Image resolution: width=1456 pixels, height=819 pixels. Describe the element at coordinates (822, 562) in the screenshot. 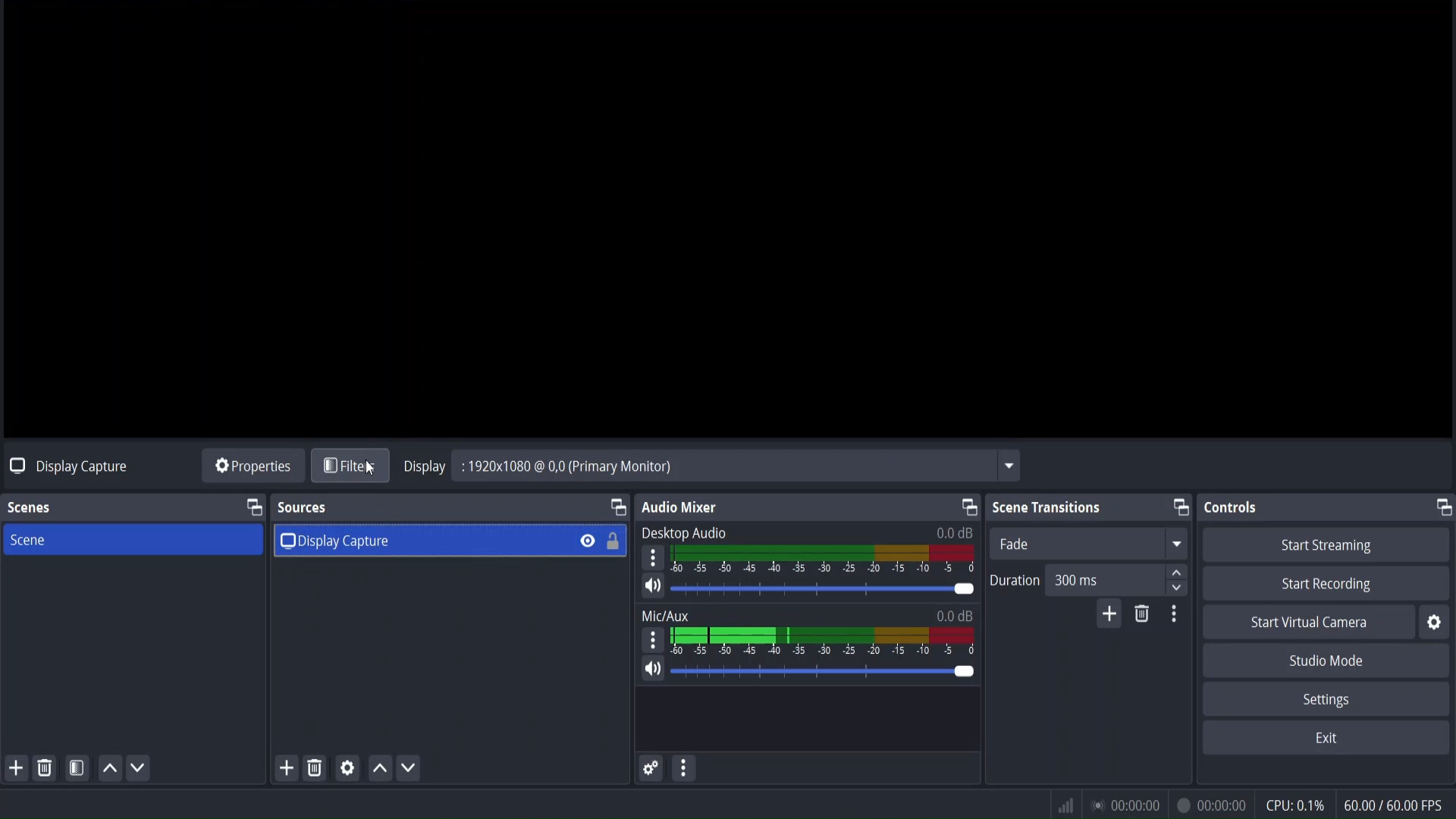

I see `desktop audio` at that location.